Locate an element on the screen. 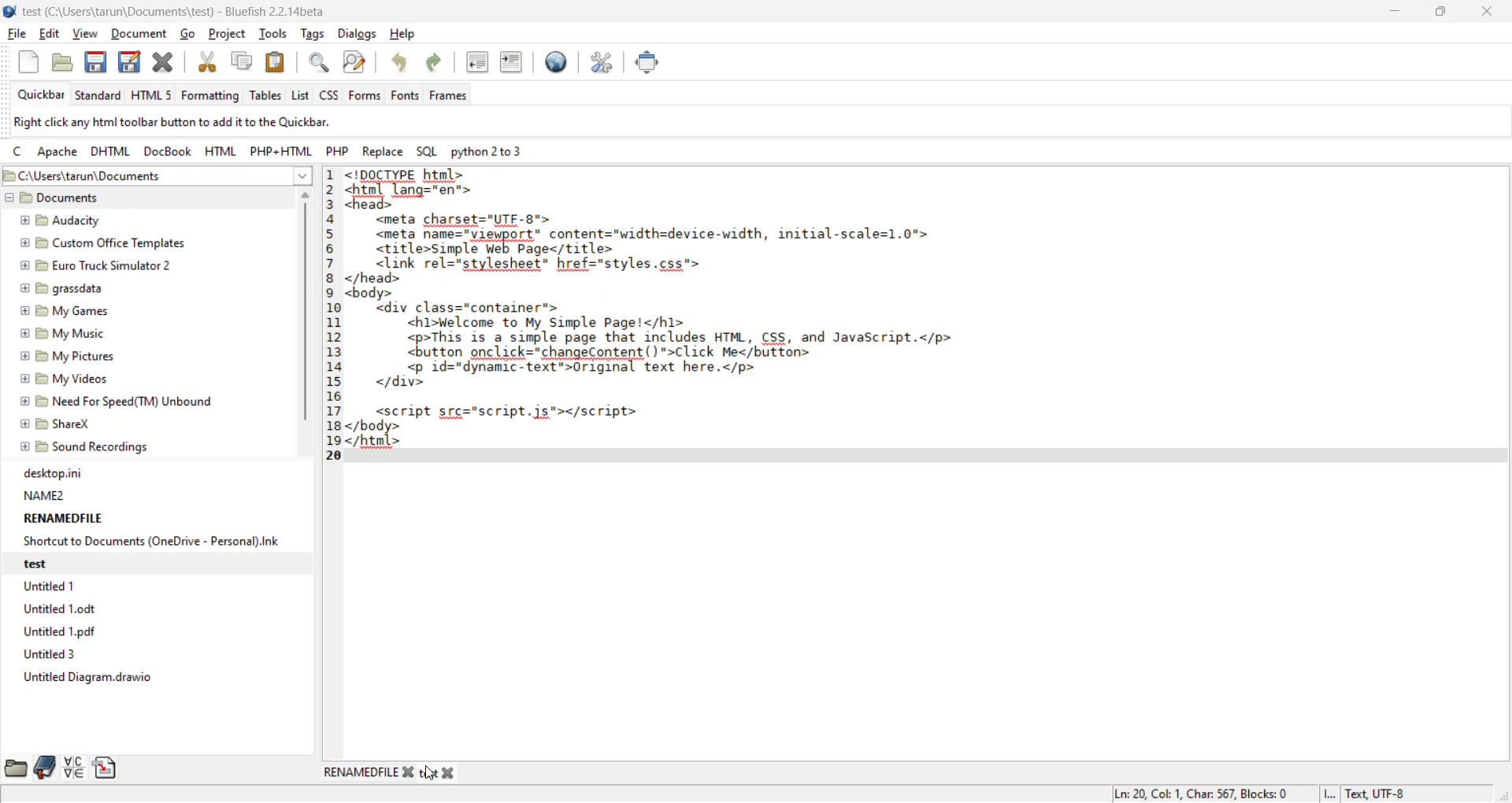  tables is located at coordinates (265, 94).